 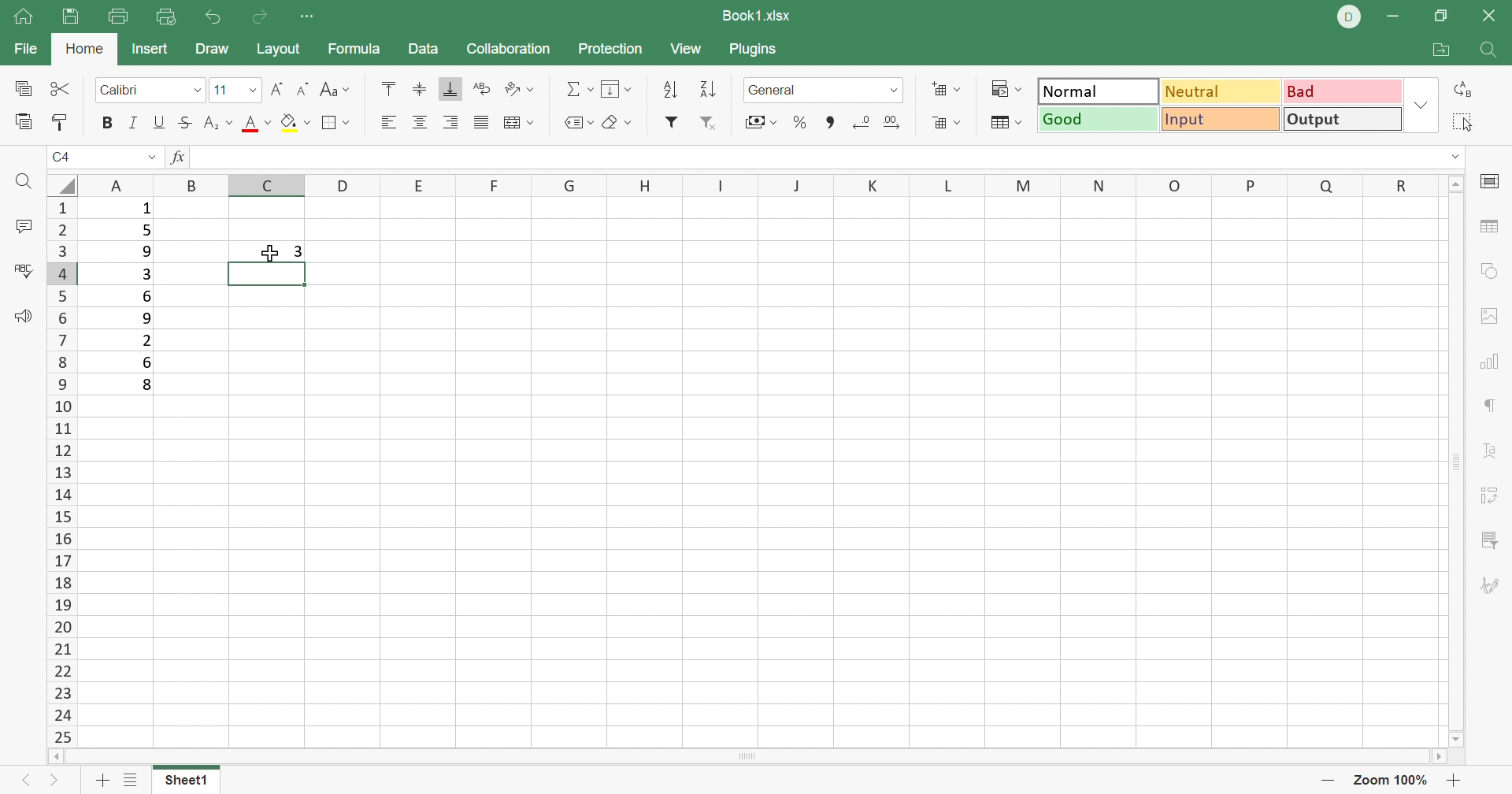 I want to click on Drop down, so click(x=1455, y=158).